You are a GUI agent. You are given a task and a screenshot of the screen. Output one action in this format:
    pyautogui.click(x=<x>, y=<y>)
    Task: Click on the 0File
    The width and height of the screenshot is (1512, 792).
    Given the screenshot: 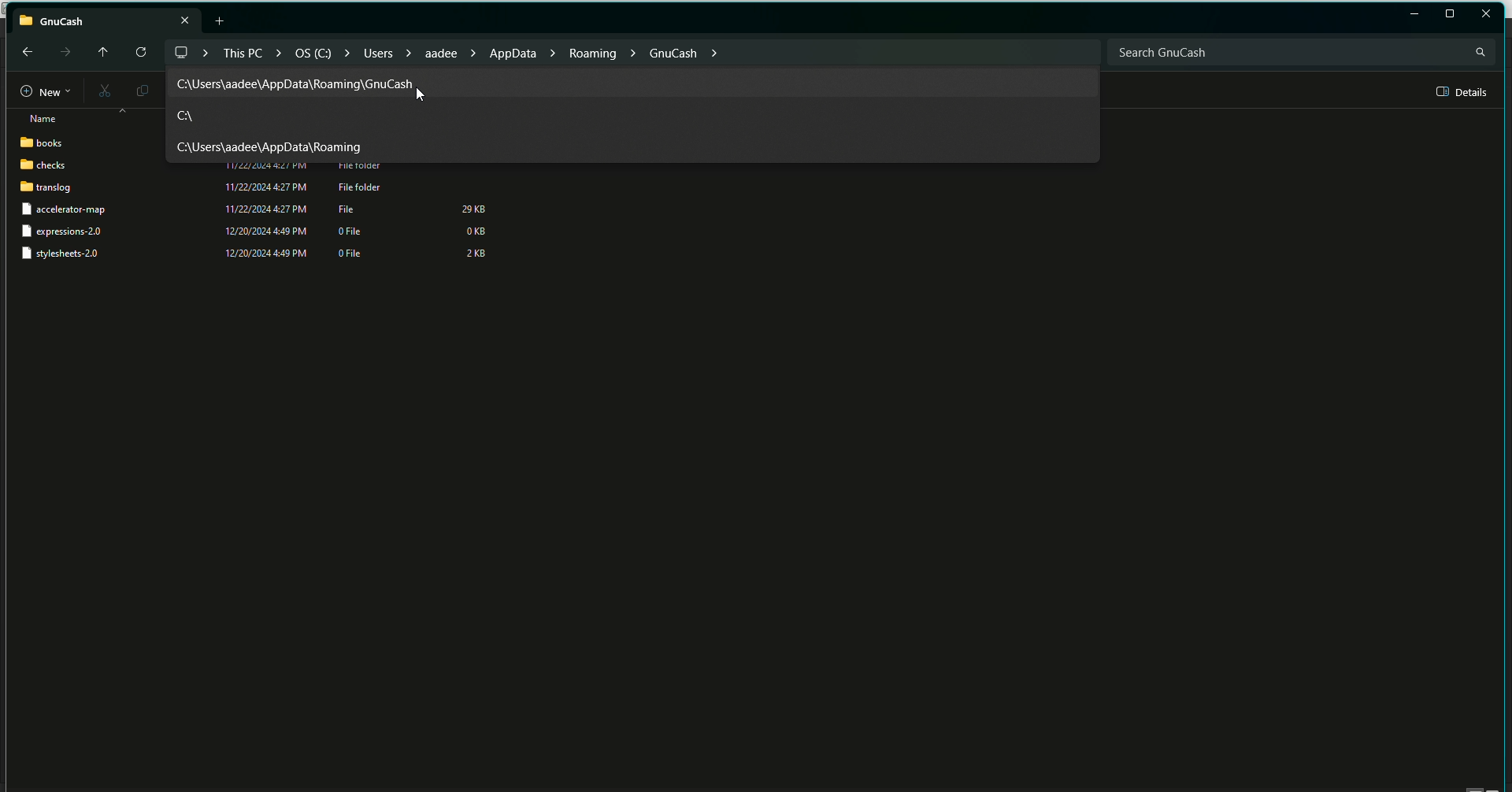 What is the action you would take?
    pyautogui.click(x=354, y=246)
    